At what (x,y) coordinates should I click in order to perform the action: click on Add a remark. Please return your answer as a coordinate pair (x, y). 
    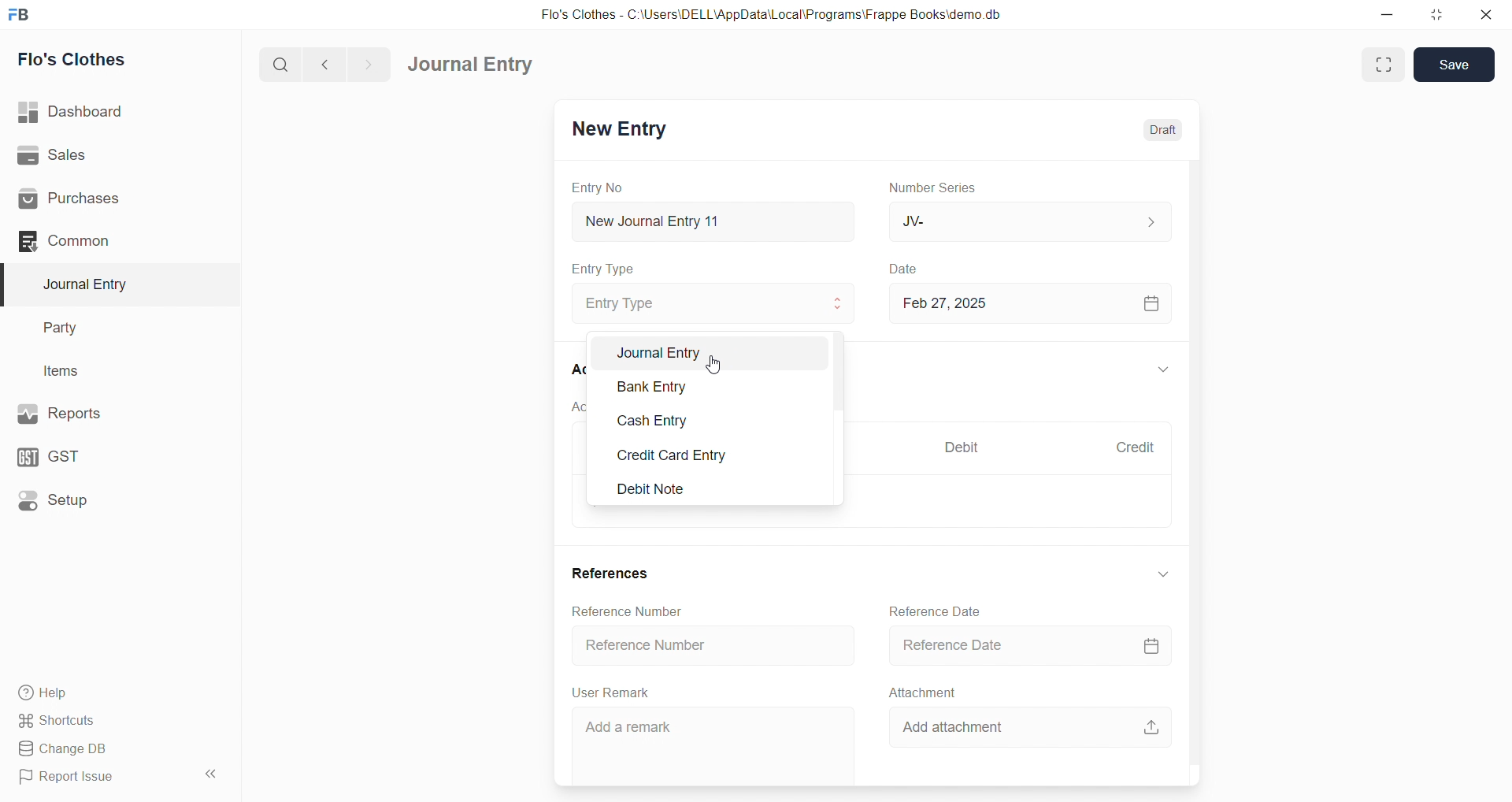
    Looking at the image, I should click on (712, 746).